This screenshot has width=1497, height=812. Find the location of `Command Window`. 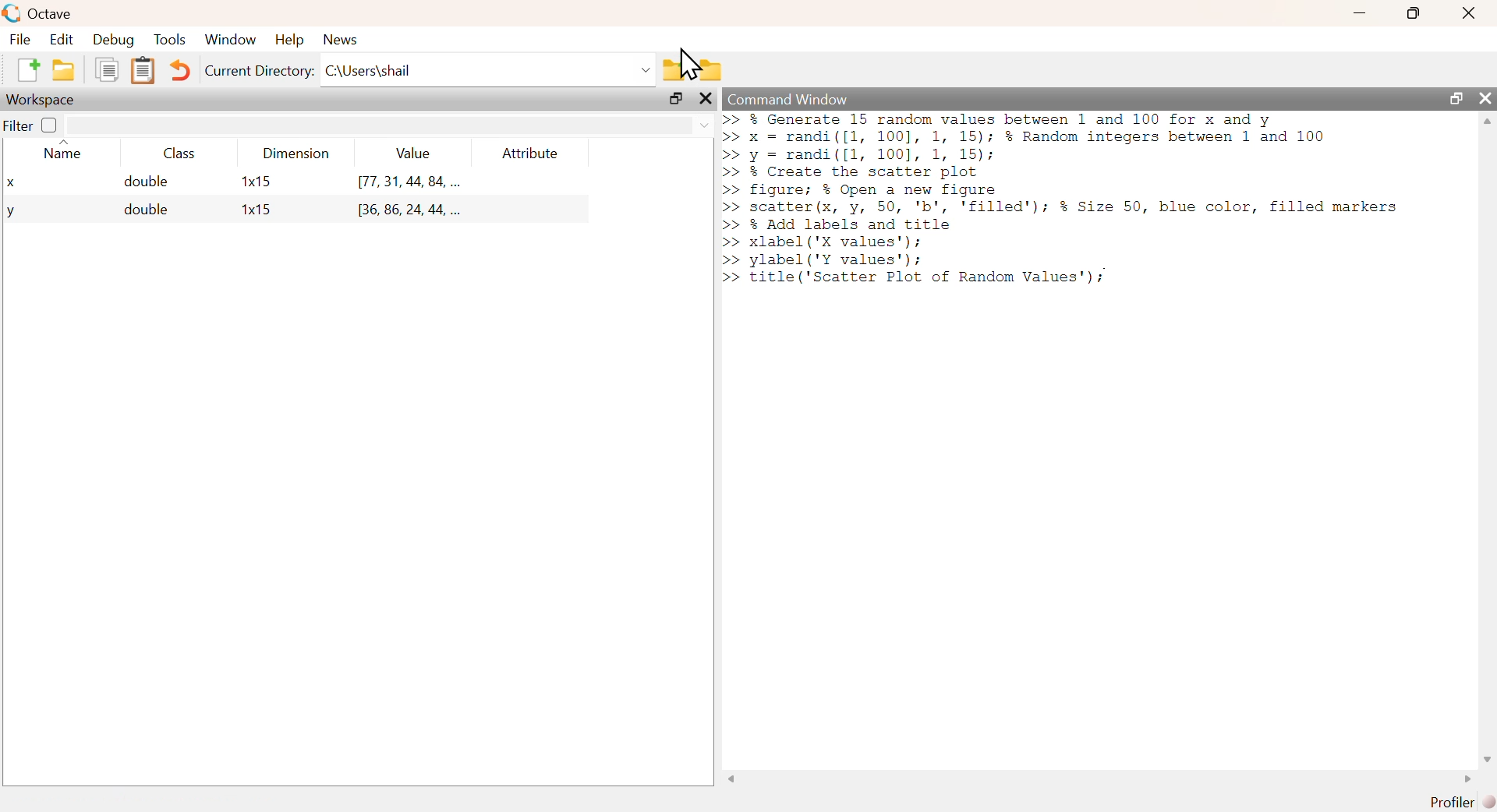

Command Window is located at coordinates (788, 99).